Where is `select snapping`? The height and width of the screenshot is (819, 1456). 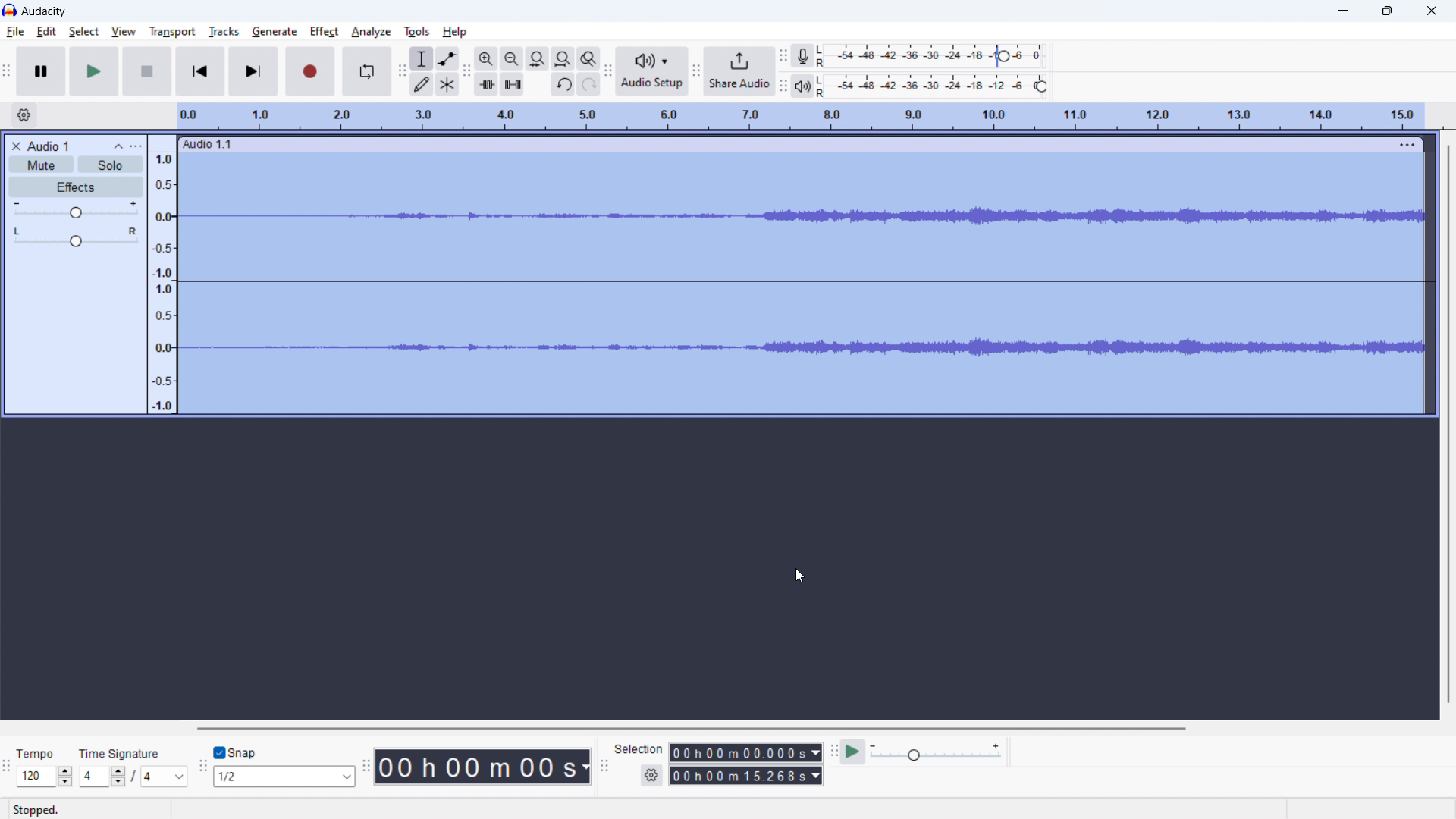
select snapping is located at coordinates (283, 777).